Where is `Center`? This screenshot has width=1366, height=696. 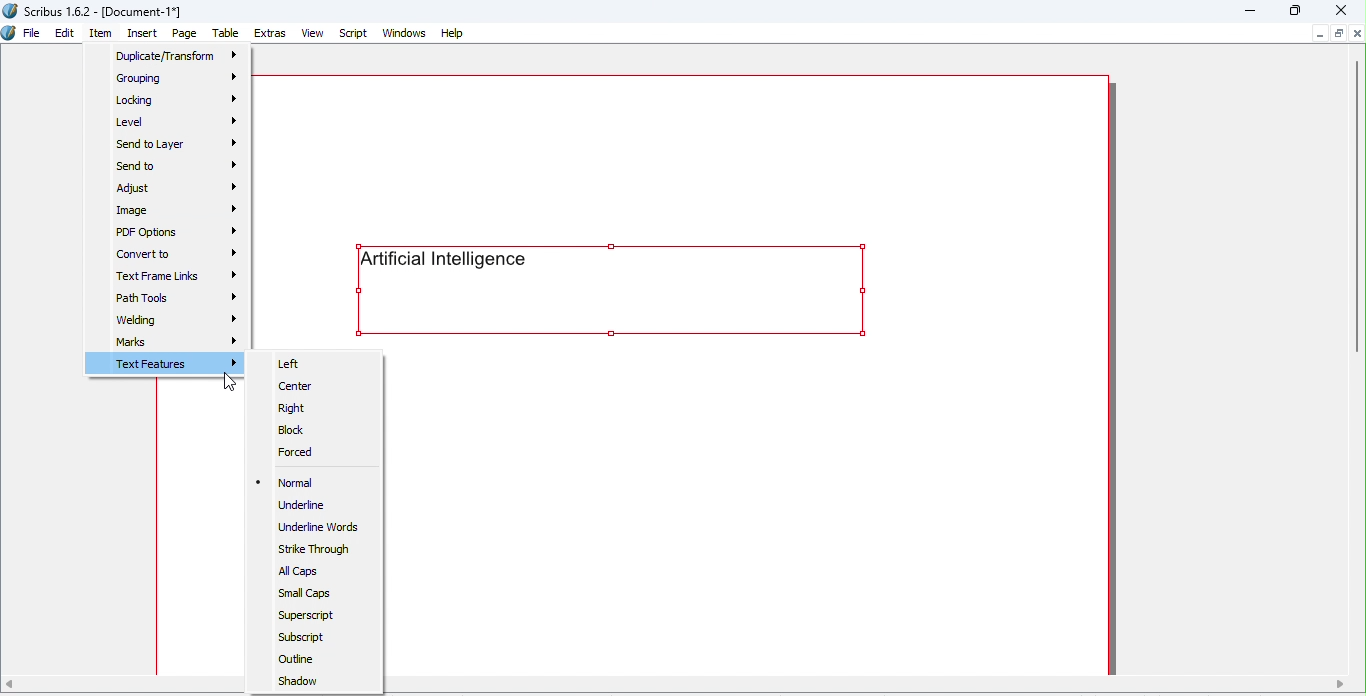
Center is located at coordinates (301, 387).